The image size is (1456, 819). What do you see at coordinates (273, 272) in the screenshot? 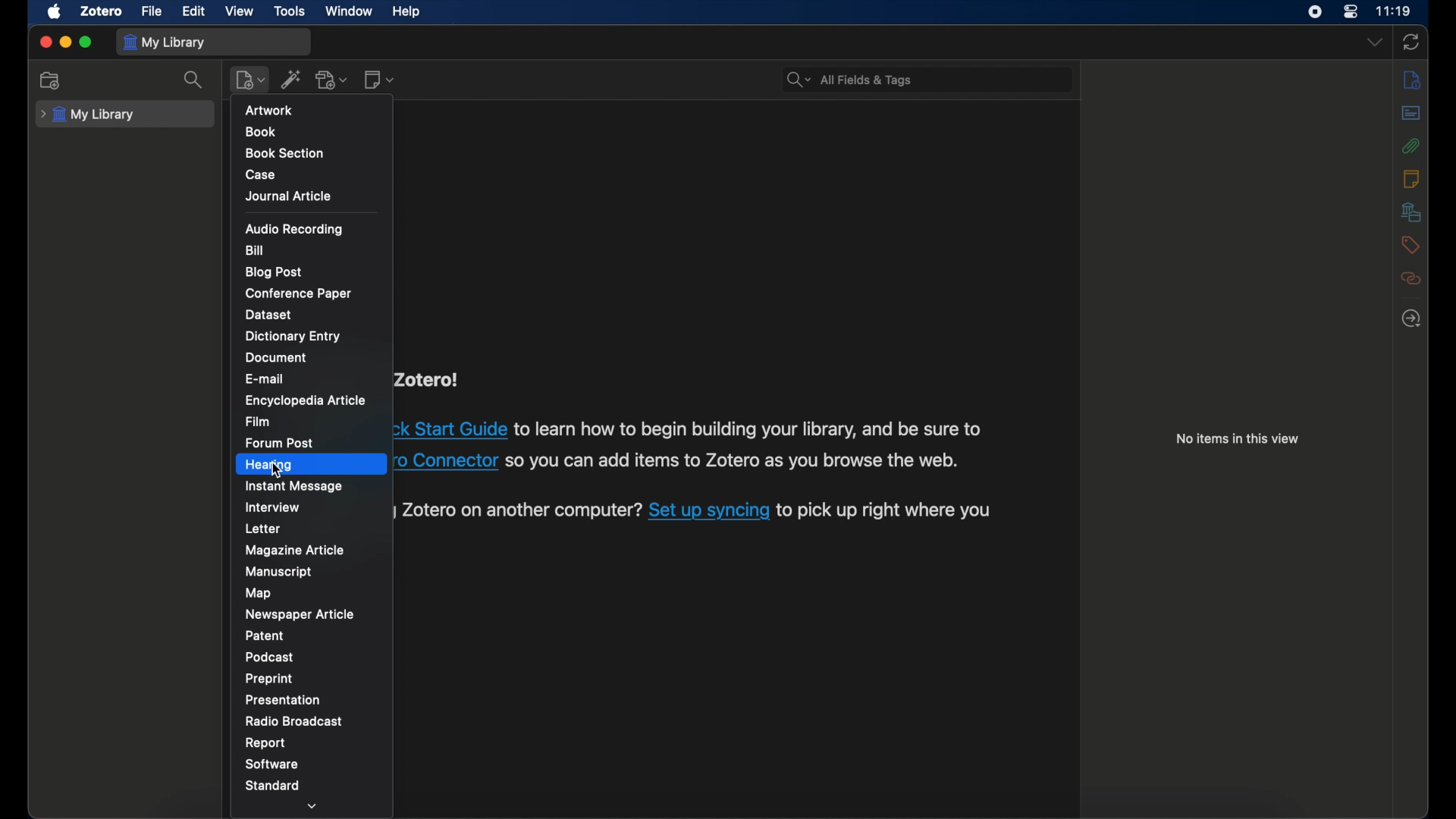
I see `blogpost` at bounding box center [273, 272].